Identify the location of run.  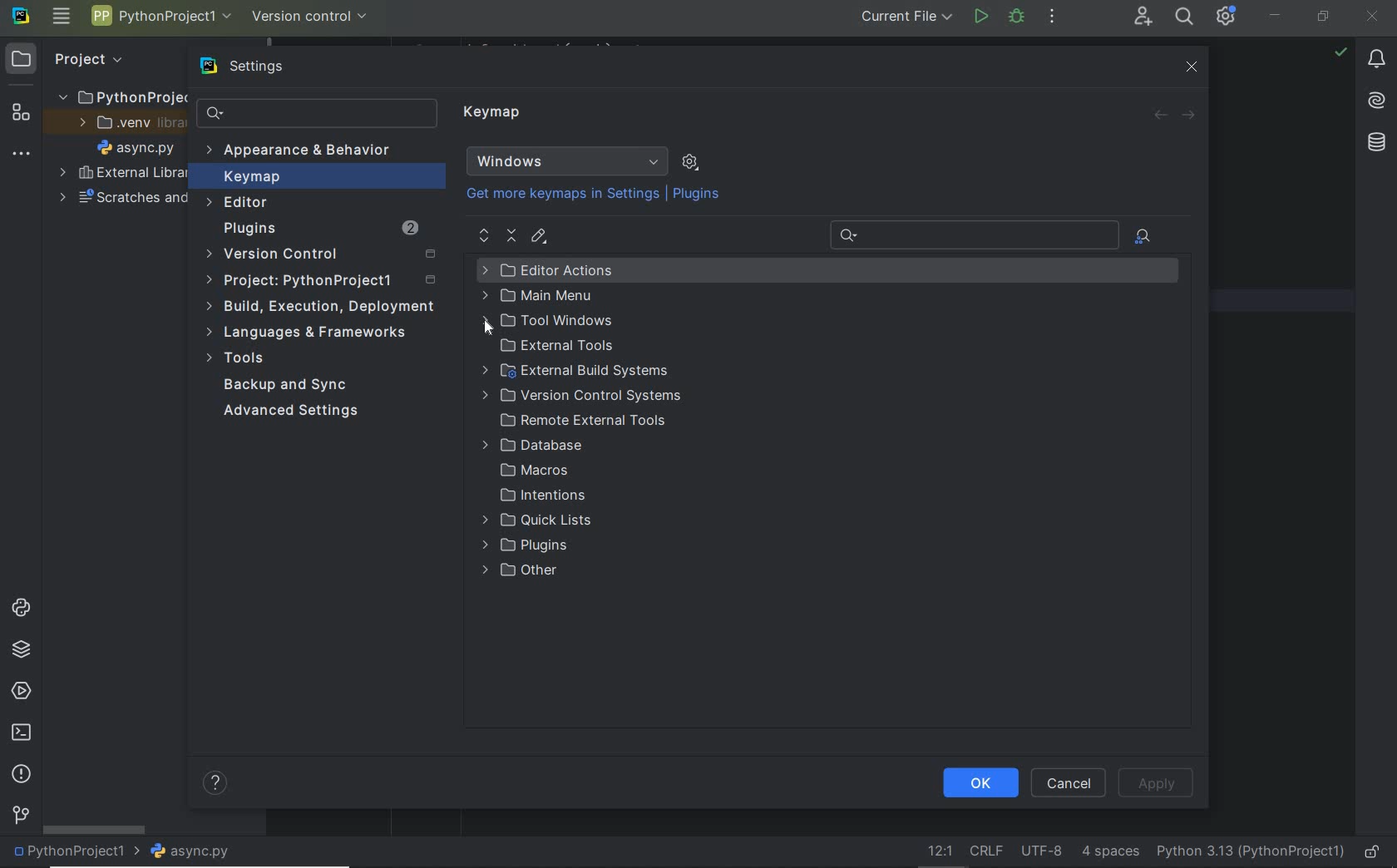
(980, 18).